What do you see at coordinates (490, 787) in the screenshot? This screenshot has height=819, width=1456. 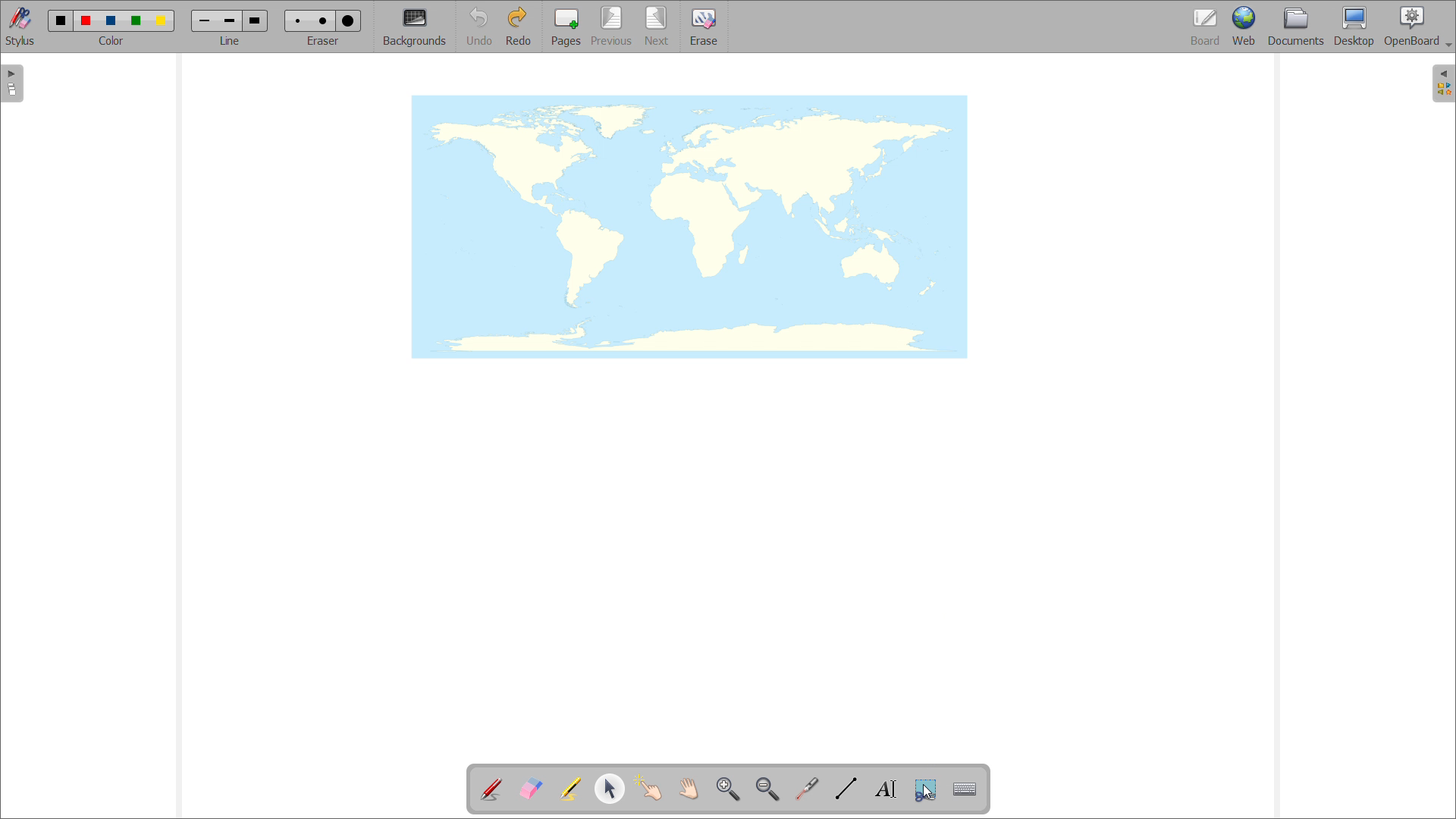 I see `add annotation` at bounding box center [490, 787].